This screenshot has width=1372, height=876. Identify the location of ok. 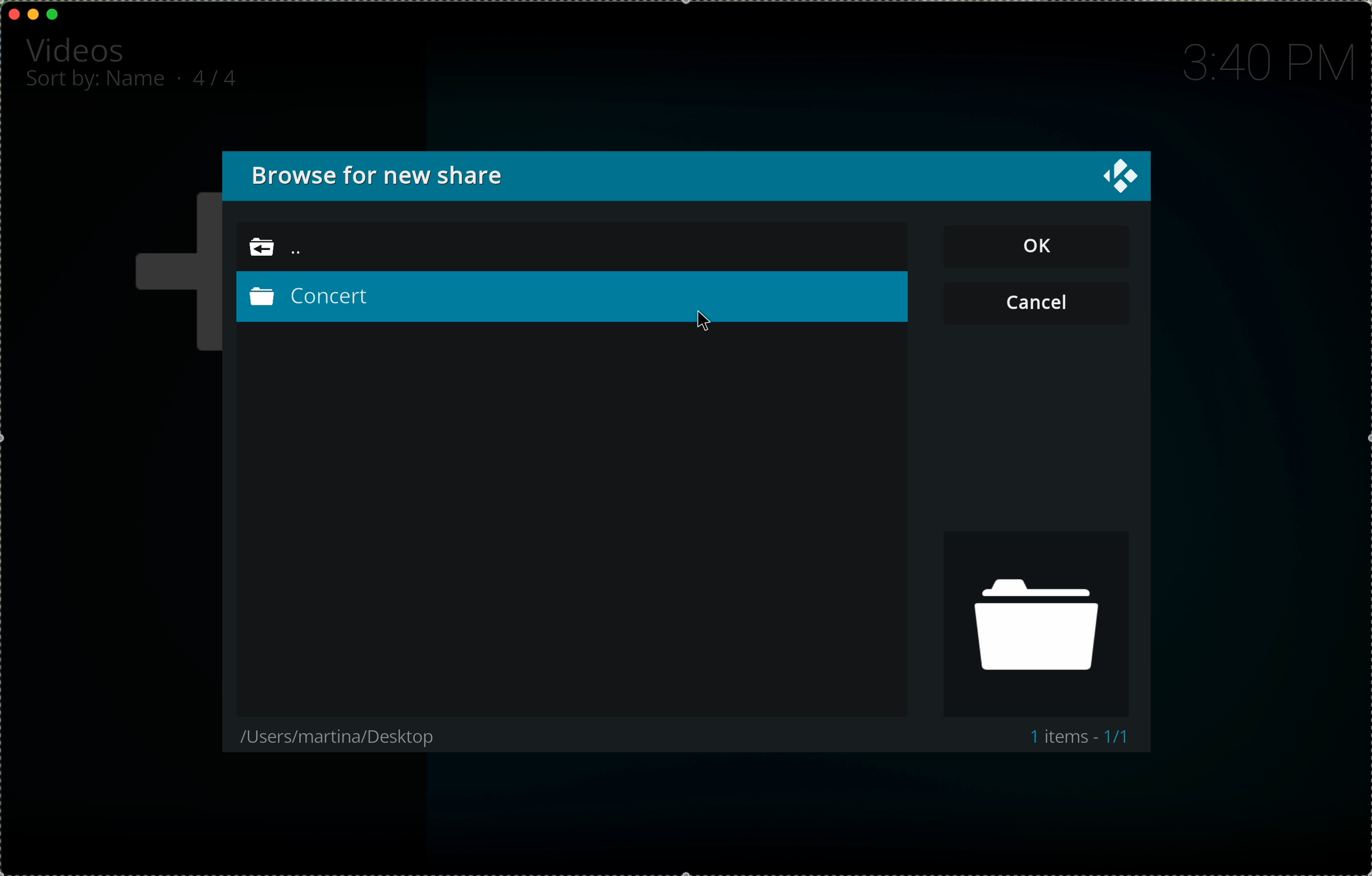
(1042, 246).